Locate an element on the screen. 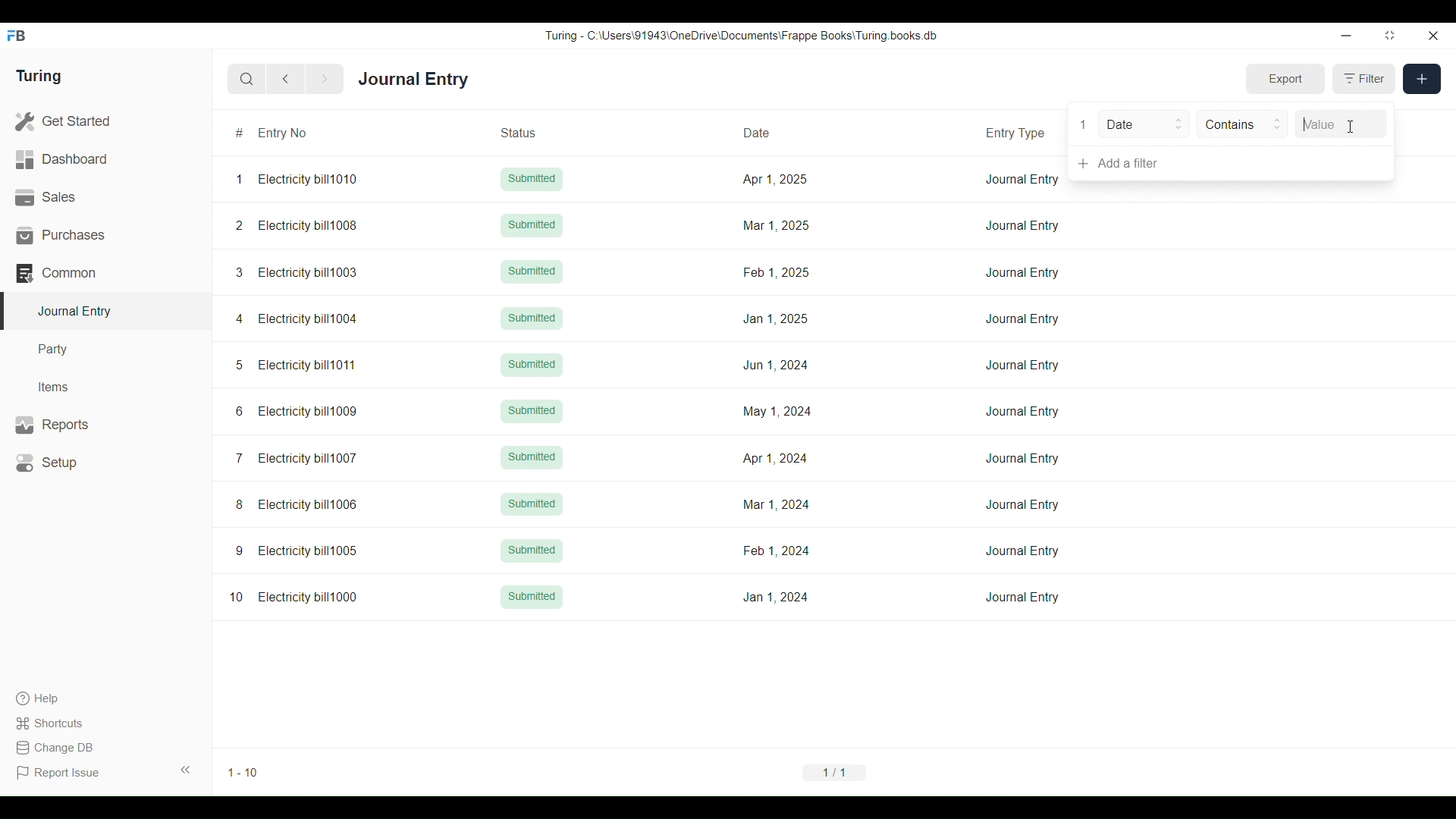 The image size is (1456, 819). Report Issue is located at coordinates (58, 773).